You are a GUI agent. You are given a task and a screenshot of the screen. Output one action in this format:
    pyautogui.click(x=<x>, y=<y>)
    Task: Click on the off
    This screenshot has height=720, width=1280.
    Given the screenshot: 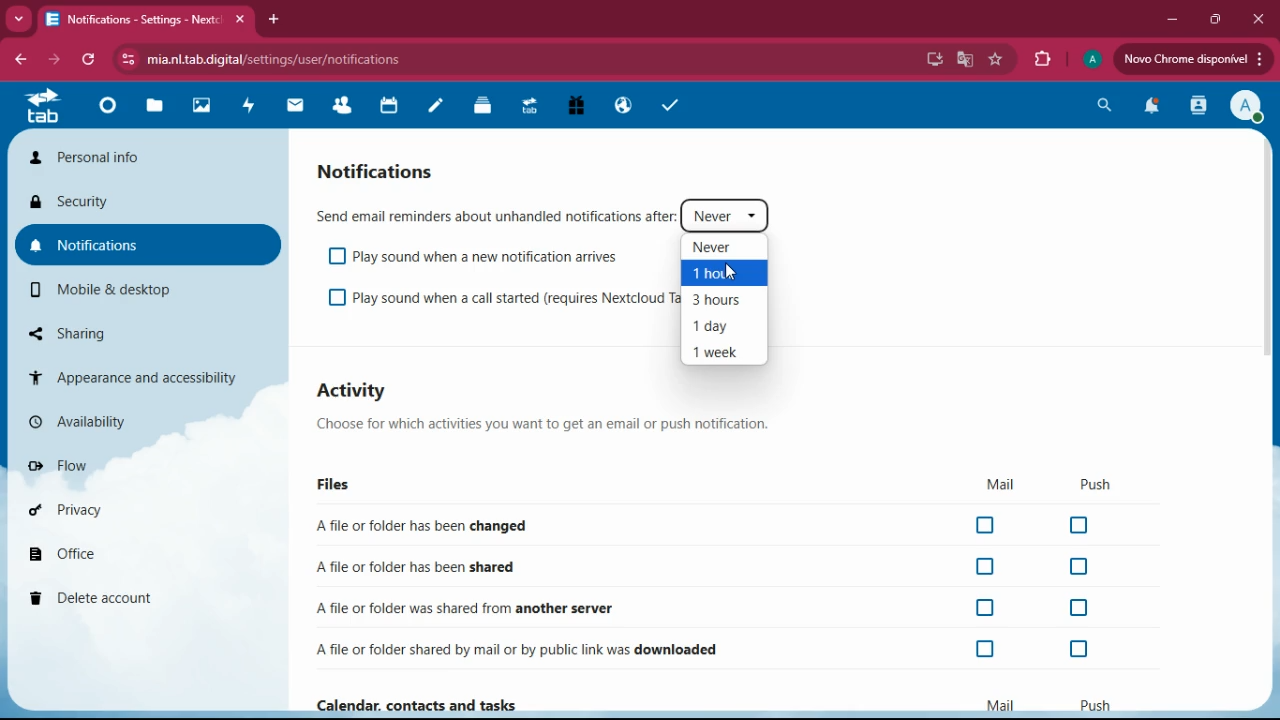 What is the action you would take?
    pyautogui.click(x=986, y=526)
    